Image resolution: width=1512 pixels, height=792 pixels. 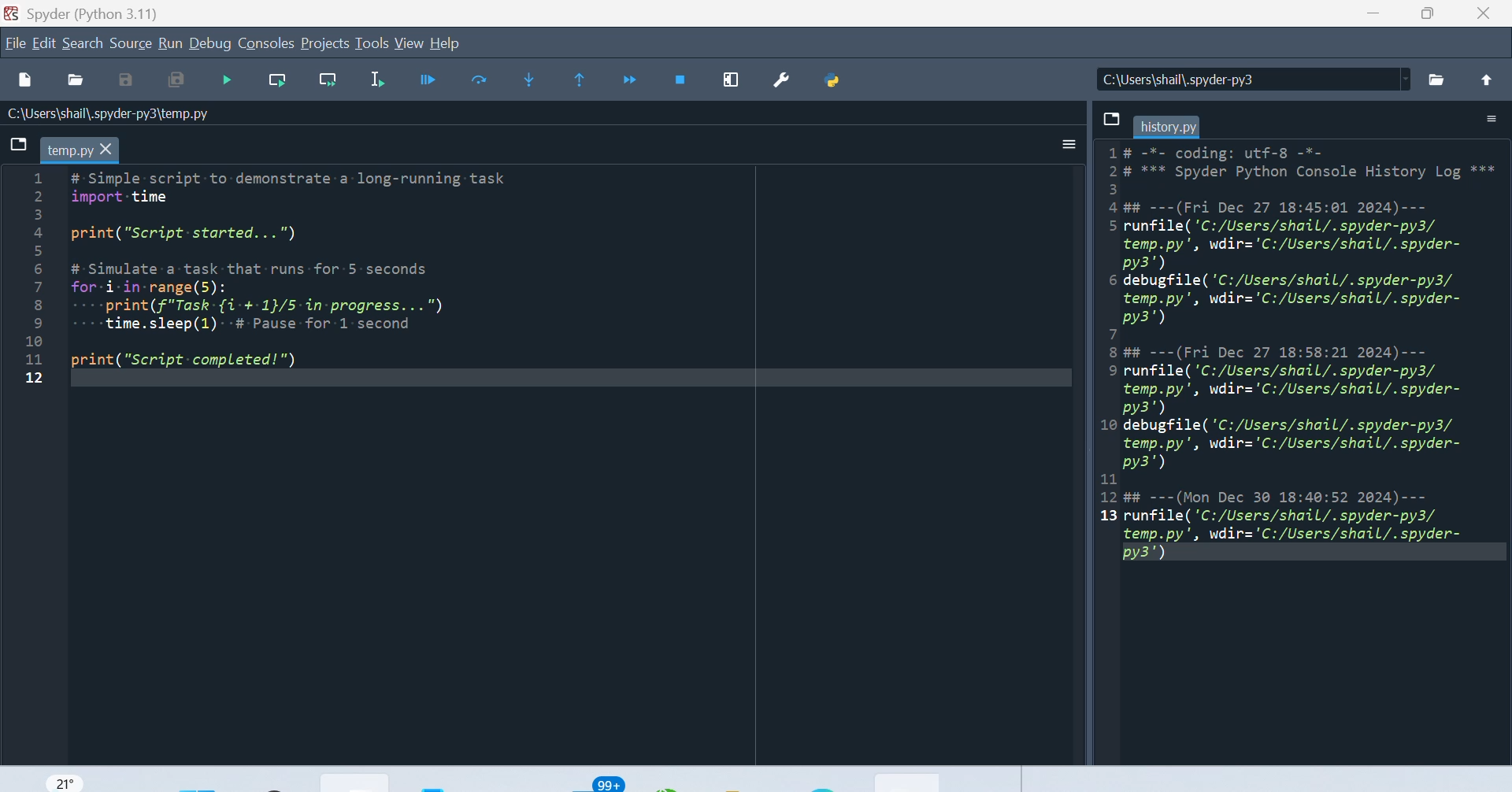 I want to click on Run current cell, so click(x=429, y=86).